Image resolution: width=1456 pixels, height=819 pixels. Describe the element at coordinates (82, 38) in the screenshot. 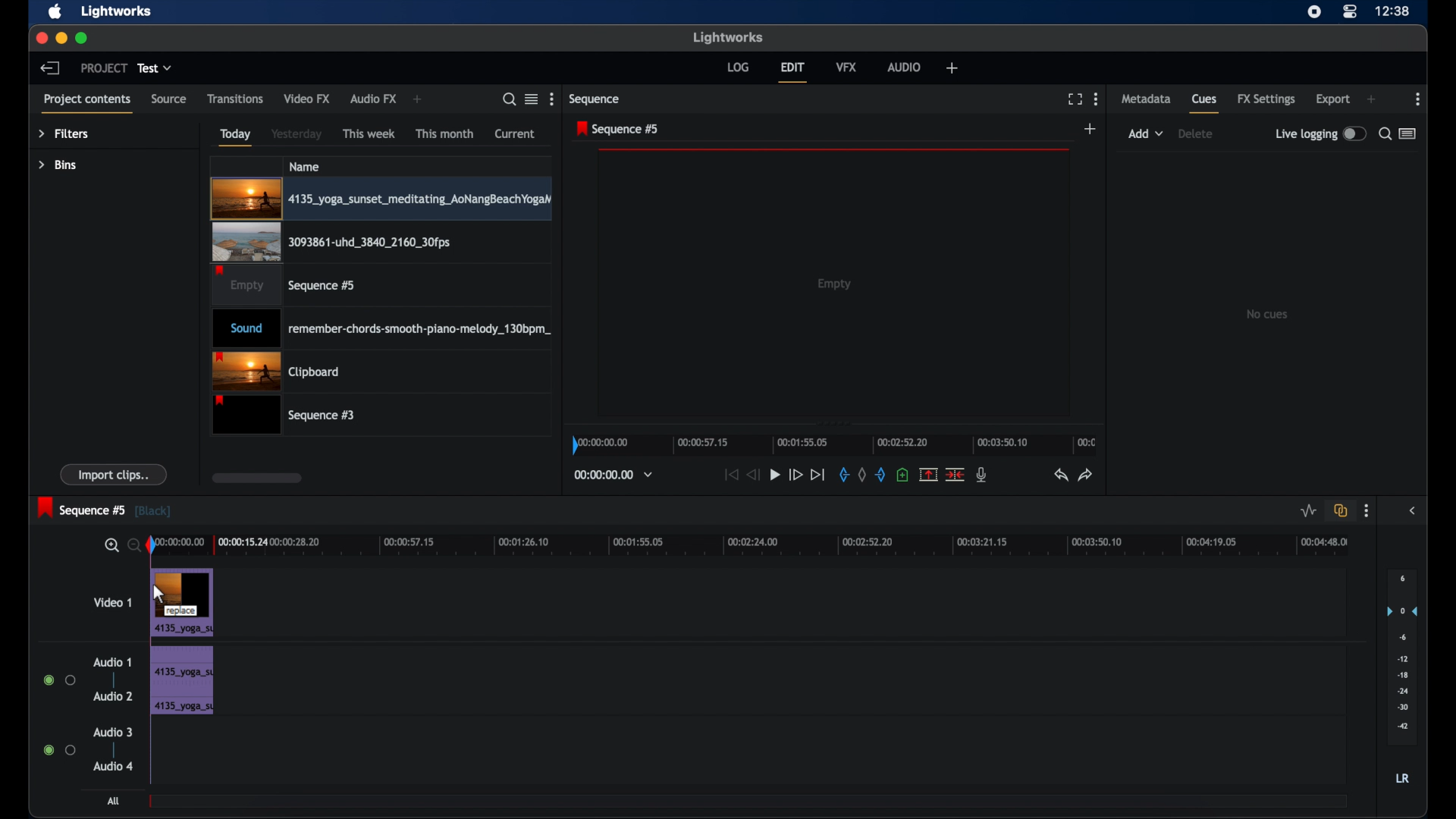

I see `maximize` at that location.